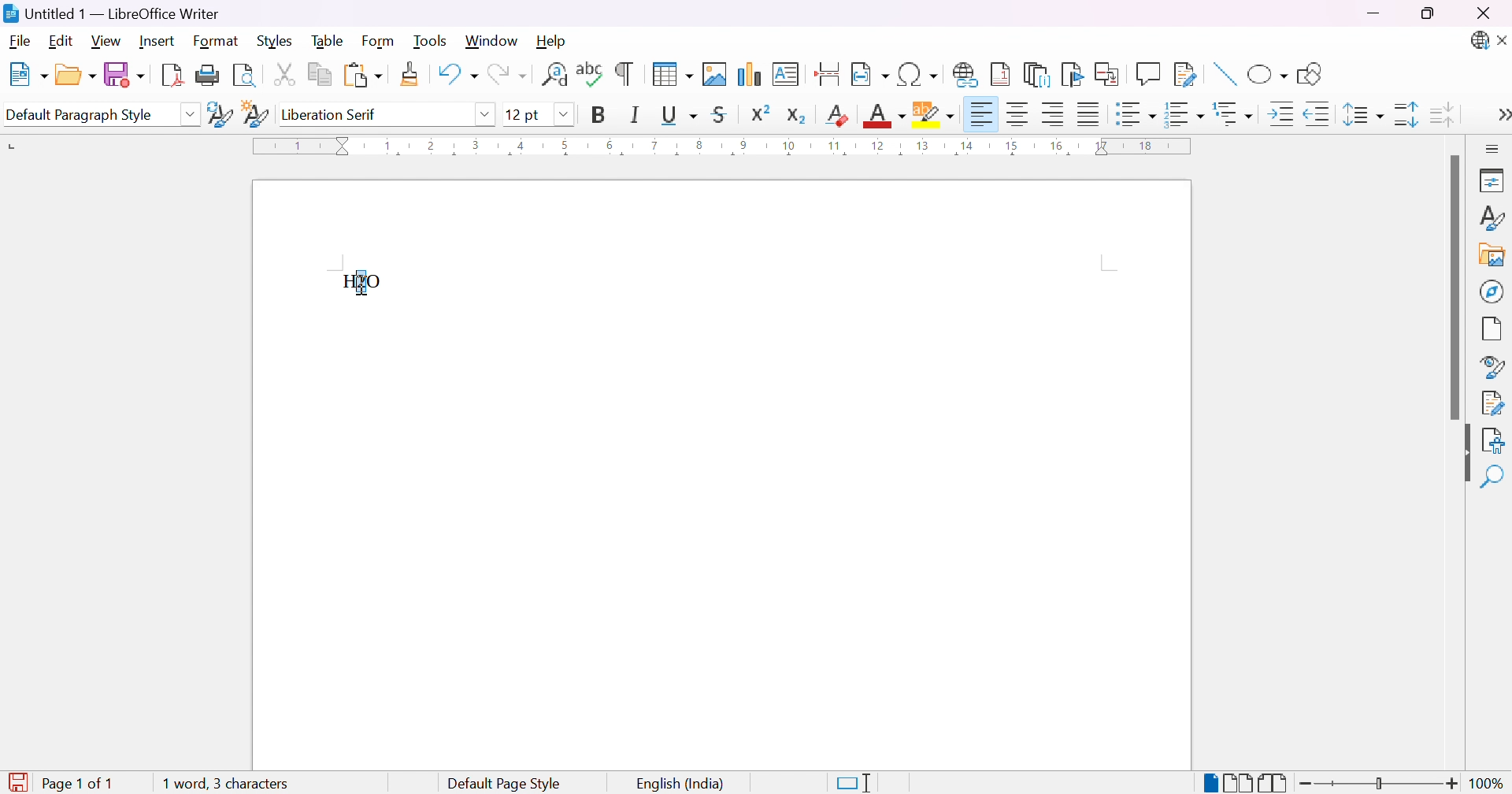 This screenshot has height=794, width=1512. What do you see at coordinates (1494, 180) in the screenshot?
I see `Properties` at bounding box center [1494, 180].